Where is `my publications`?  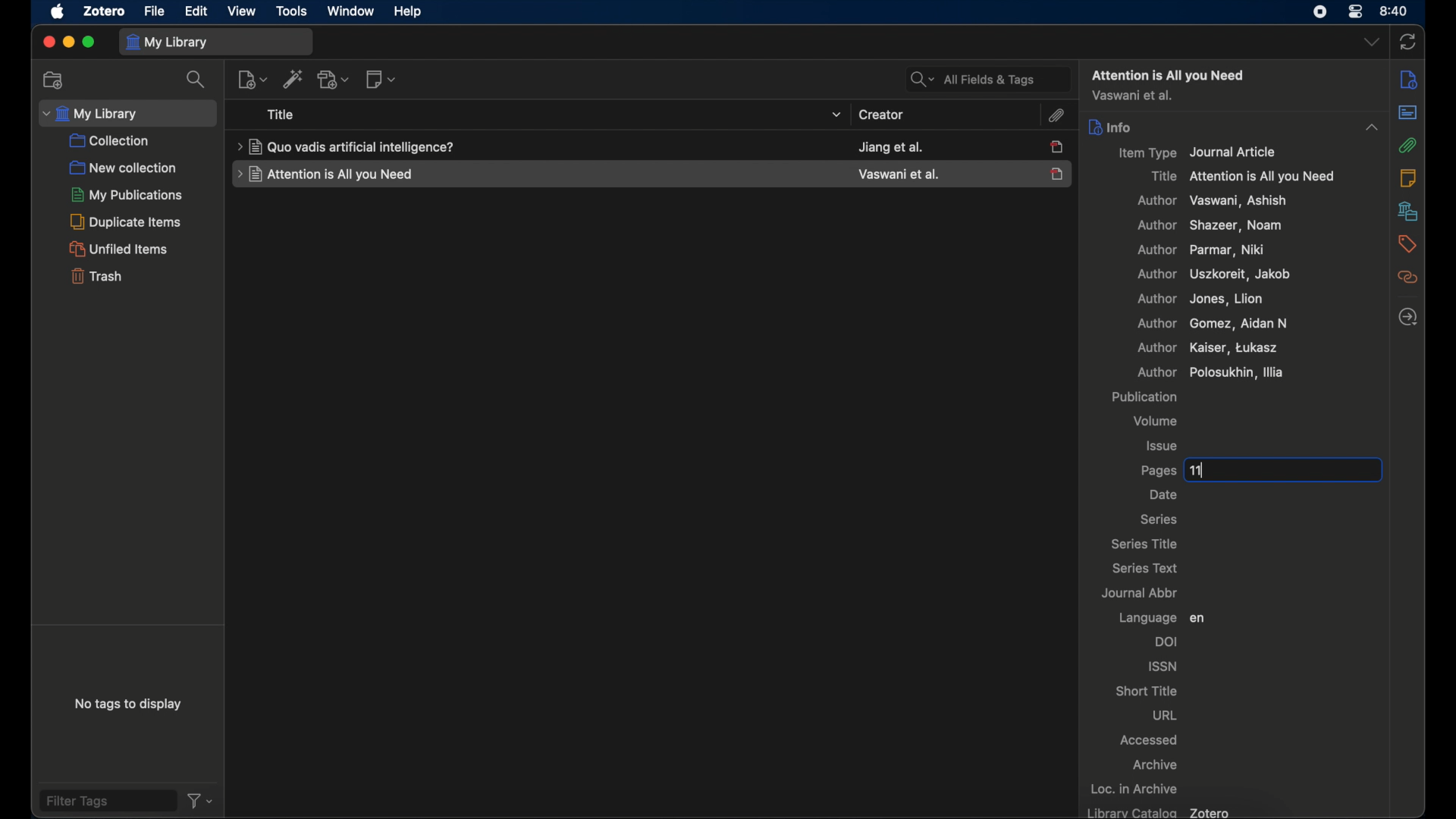
my publications is located at coordinates (124, 195).